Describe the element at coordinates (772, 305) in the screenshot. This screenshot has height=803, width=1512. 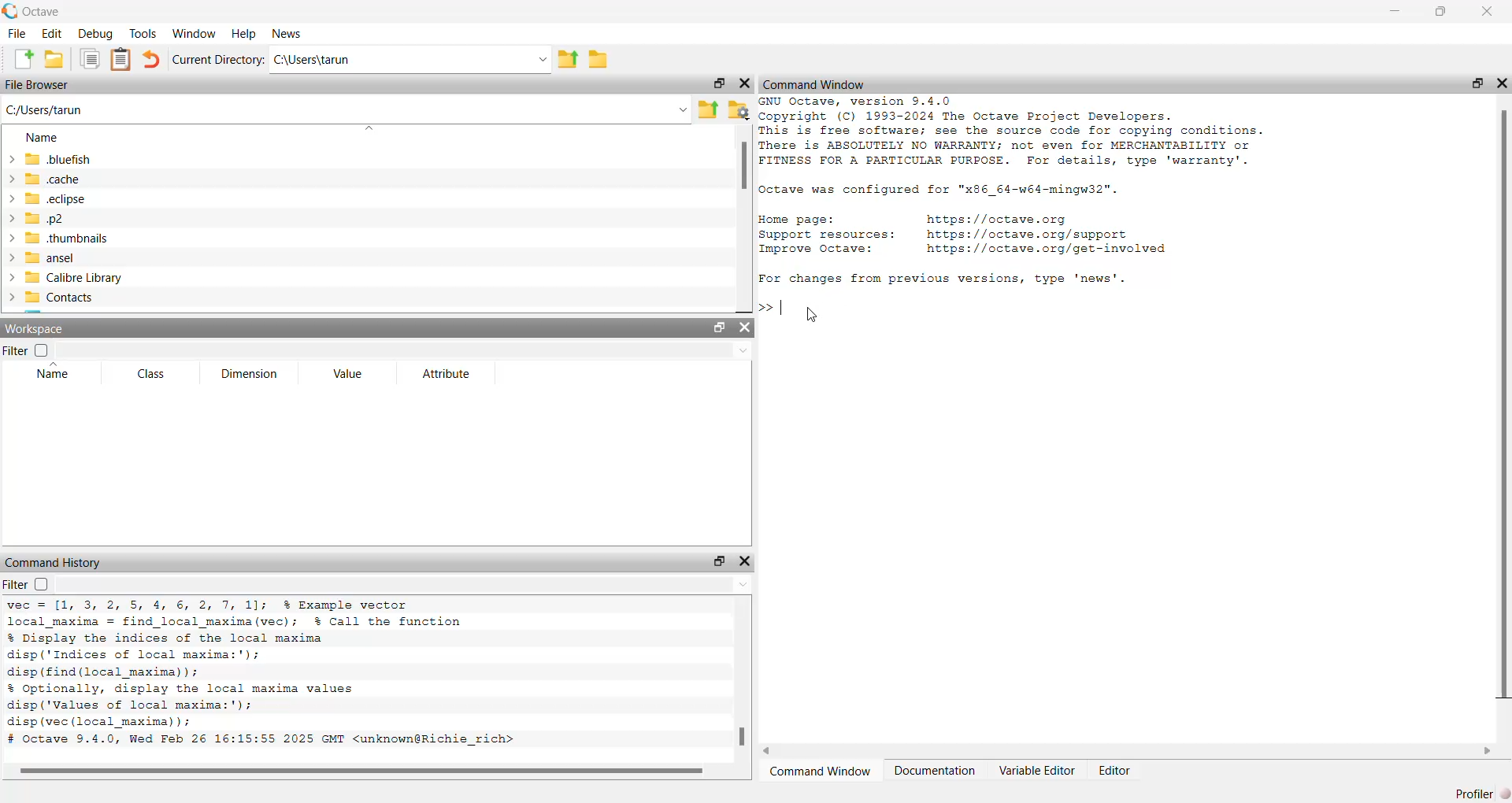
I see `new line` at that location.